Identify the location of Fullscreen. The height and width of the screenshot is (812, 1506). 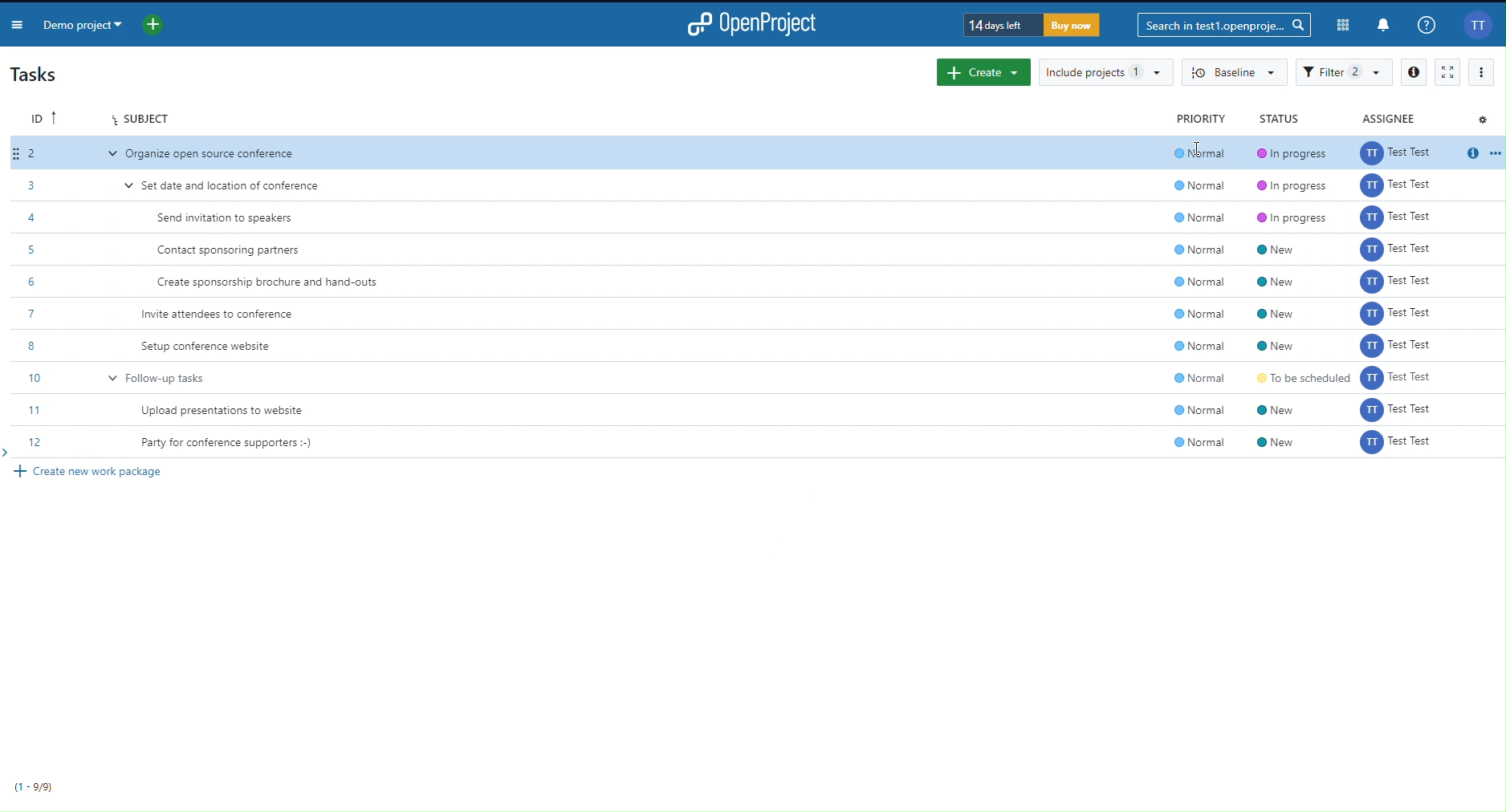
(1447, 71).